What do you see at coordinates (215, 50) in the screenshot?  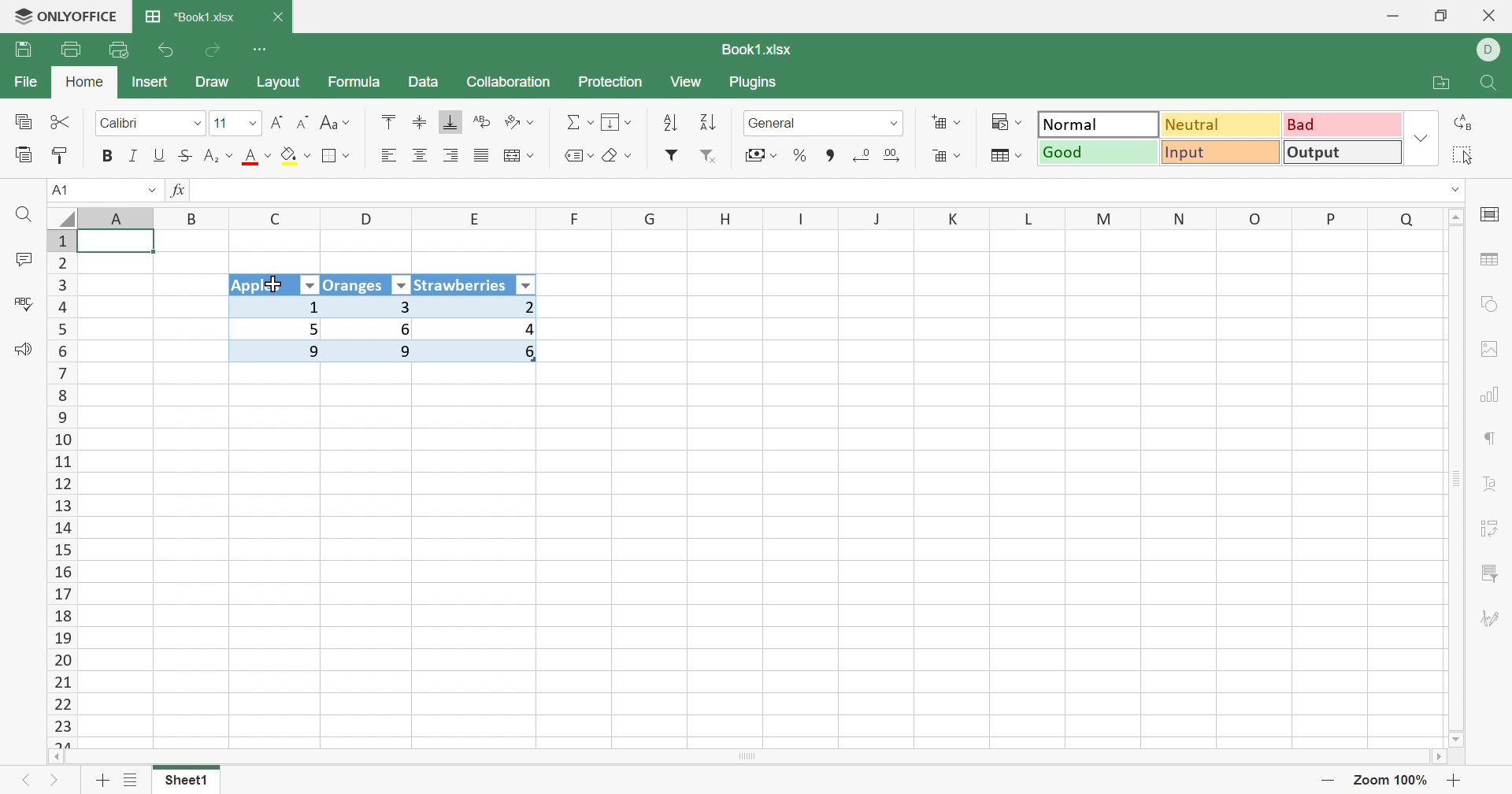 I see `Redo` at bounding box center [215, 50].